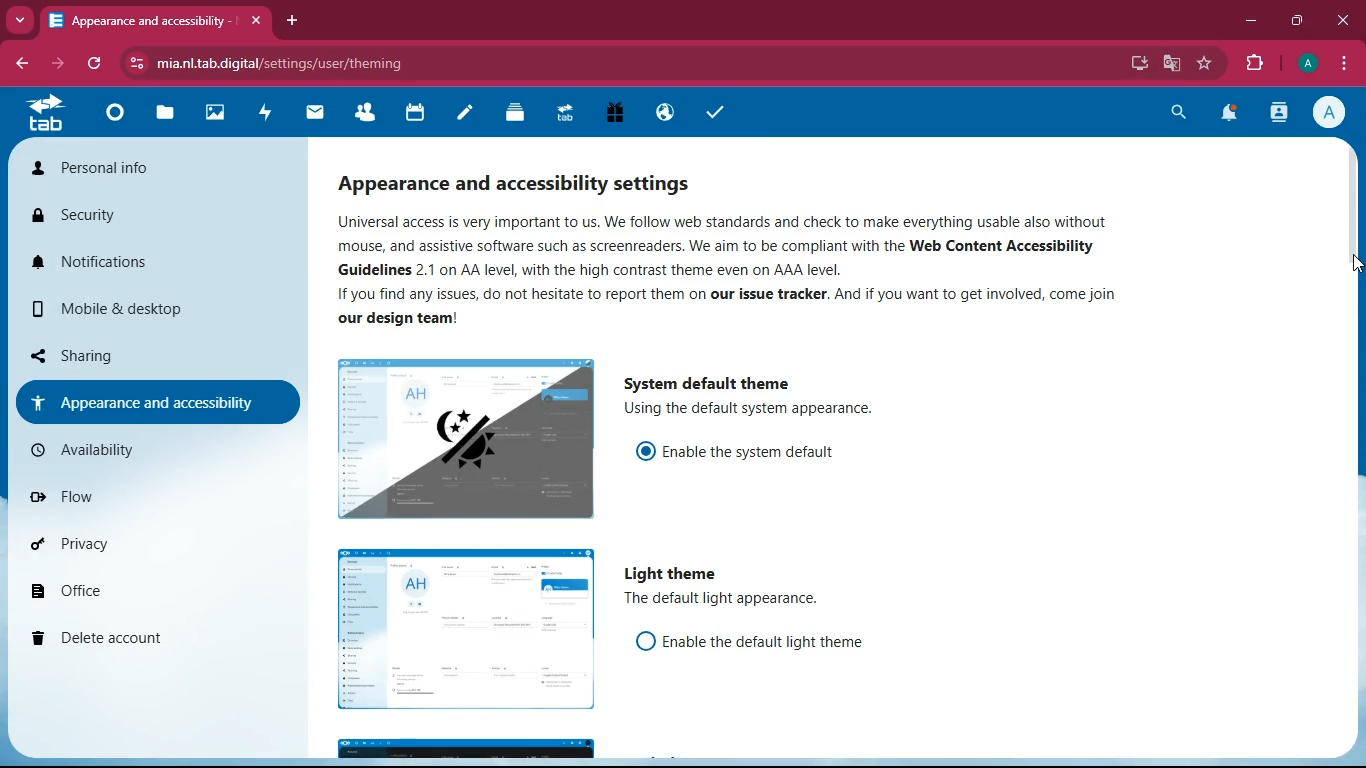 This screenshot has height=768, width=1366. Describe the element at coordinates (661, 112) in the screenshot. I see `public` at that location.